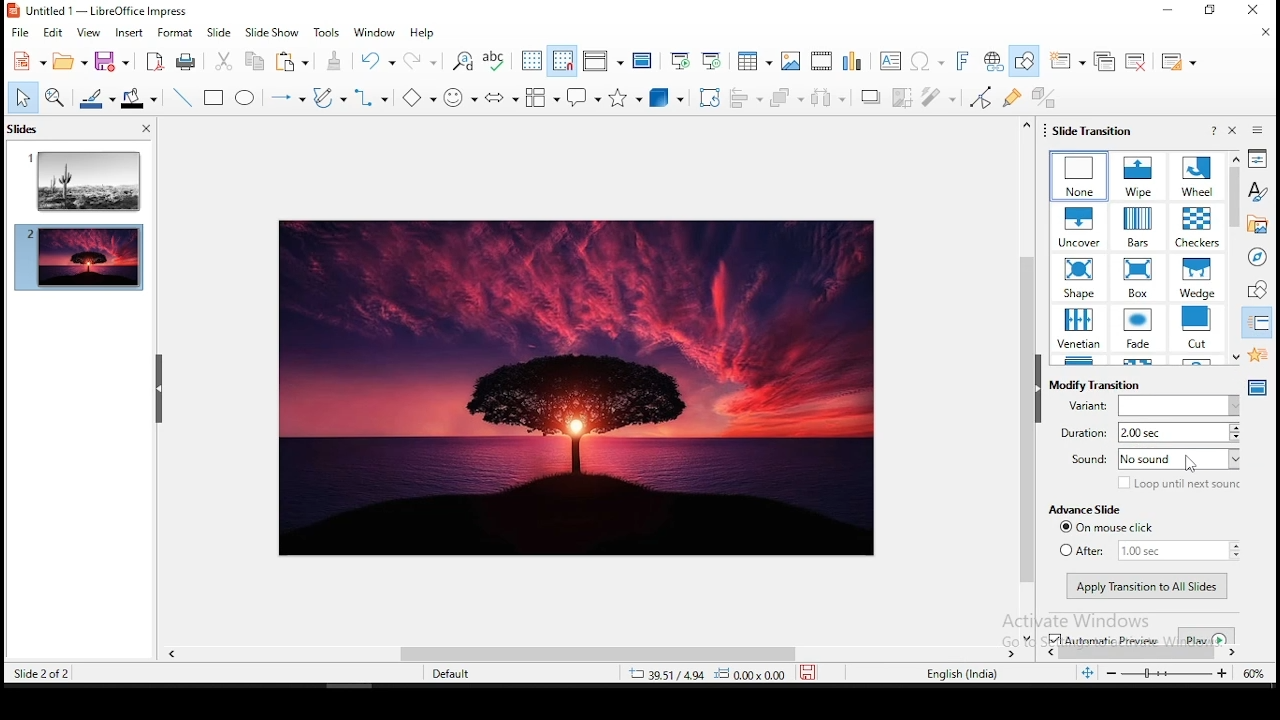 The width and height of the screenshot is (1280, 720). What do you see at coordinates (296, 61) in the screenshot?
I see `paste` at bounding box center [296, 61].